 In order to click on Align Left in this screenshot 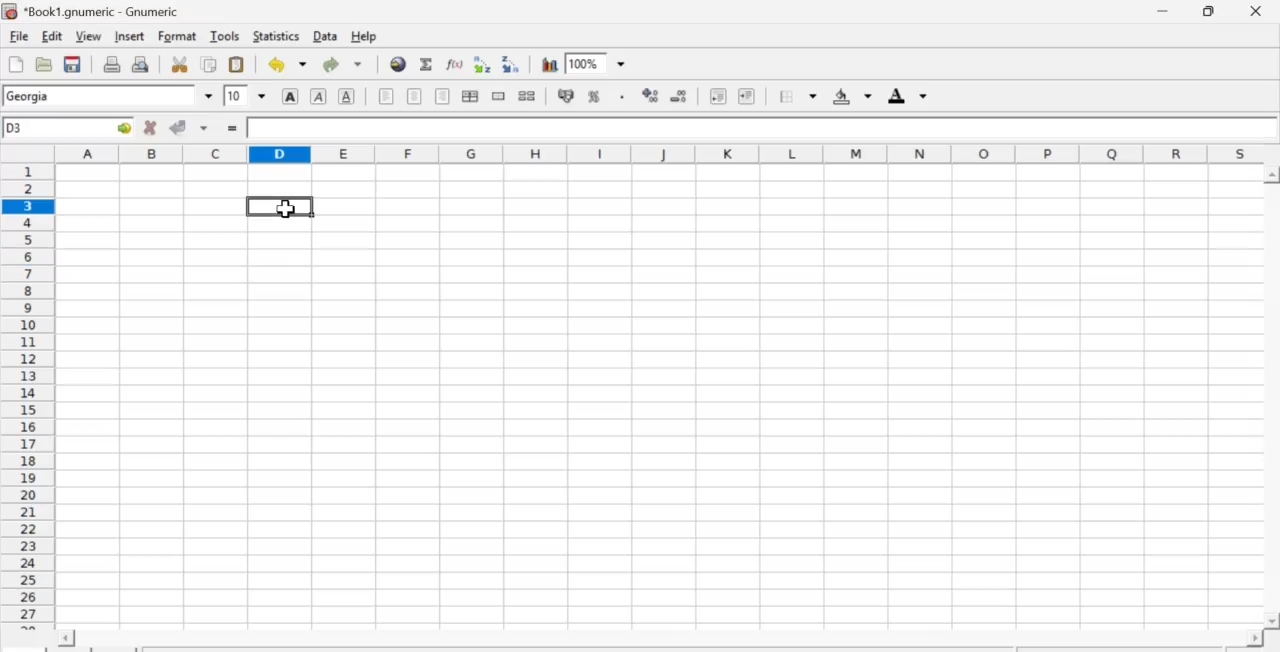, I will do `click(384, 97)`.